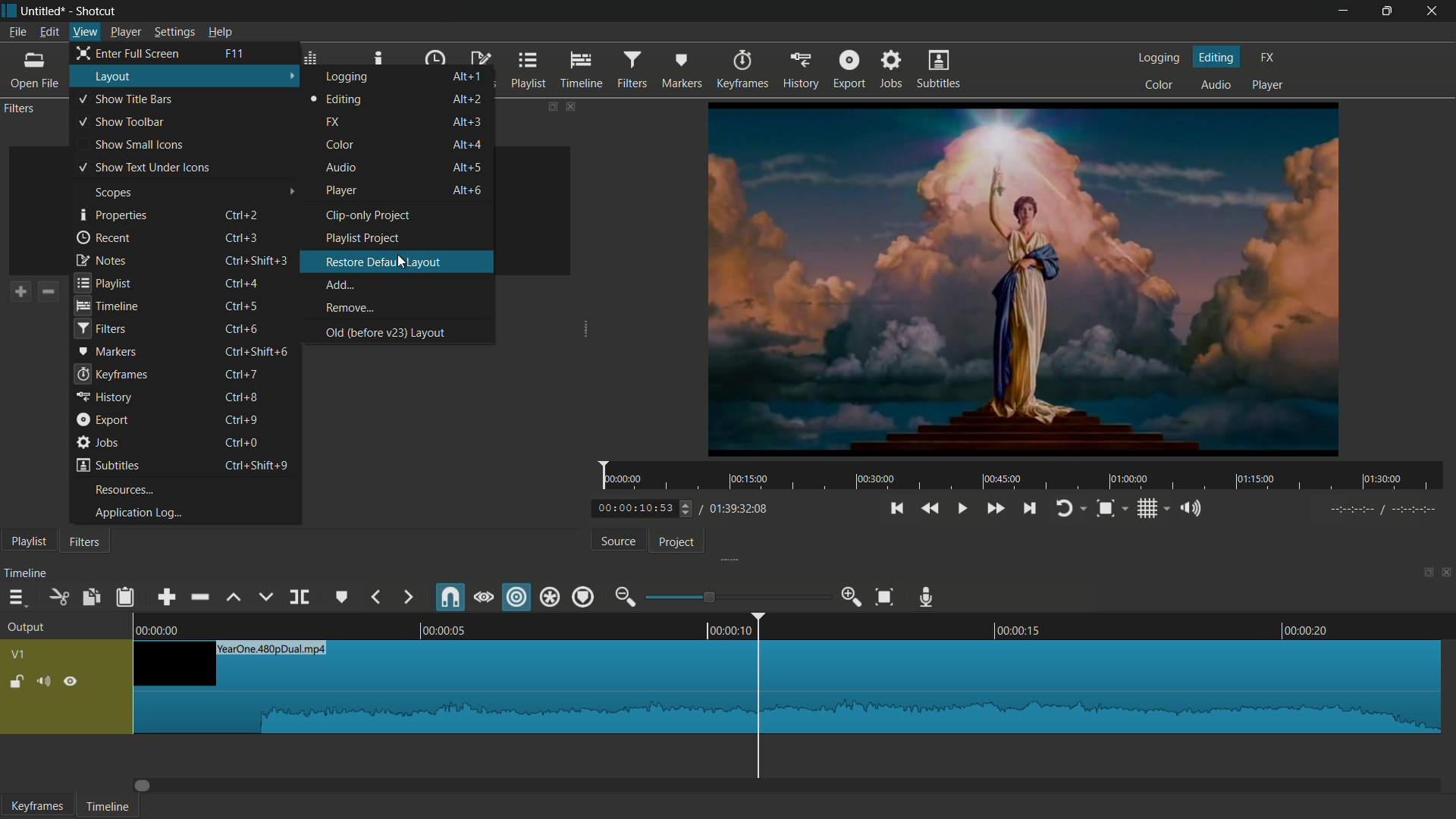  What do you see at coordinates (35, 72) in the screenshot?
I see `open other` at bounding box center [35, 72].